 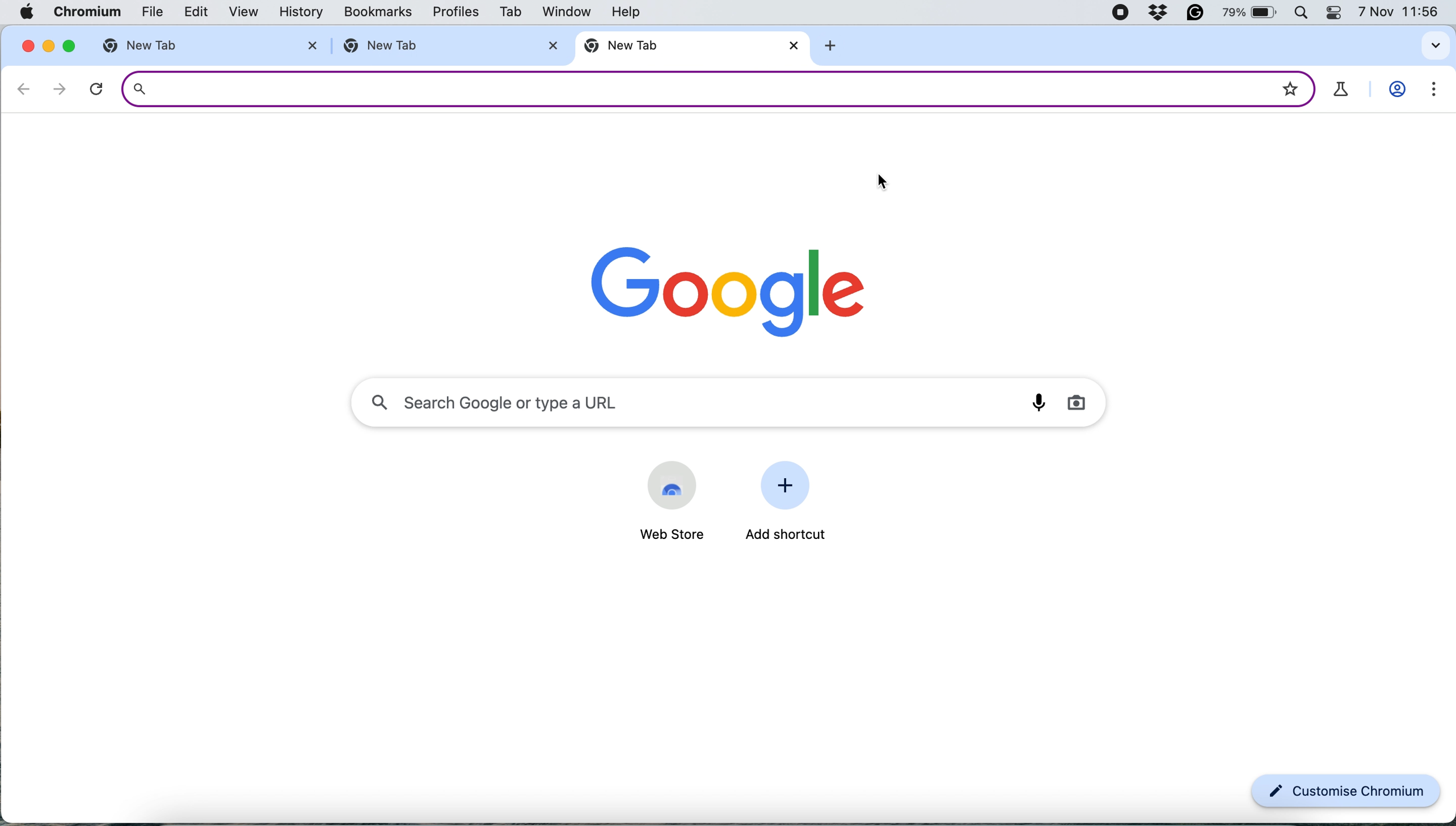 I want to click on minimise, so click(x=46, y=46).